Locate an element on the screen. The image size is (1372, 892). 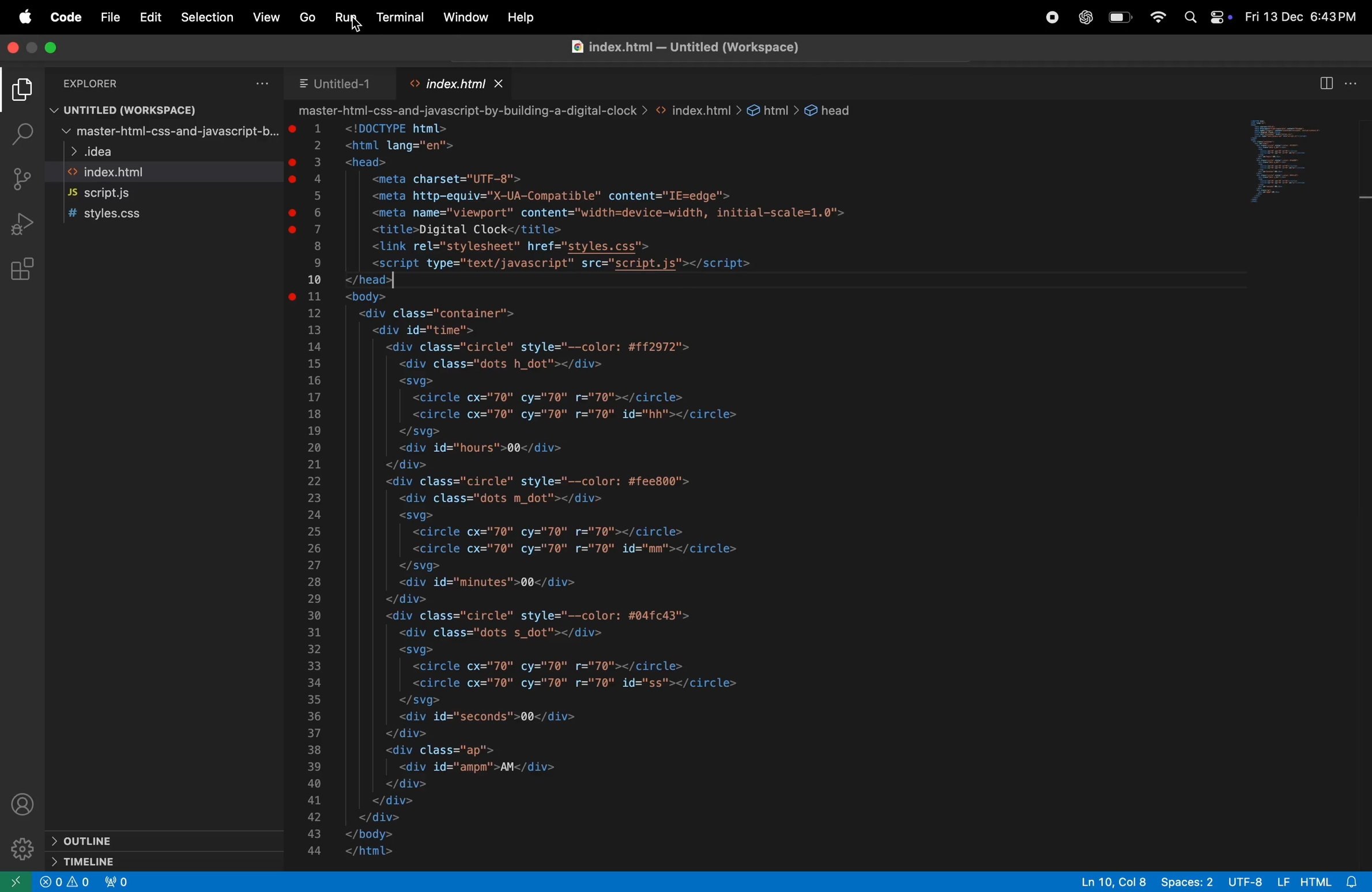
explorer is located at coordinates (20, 89).